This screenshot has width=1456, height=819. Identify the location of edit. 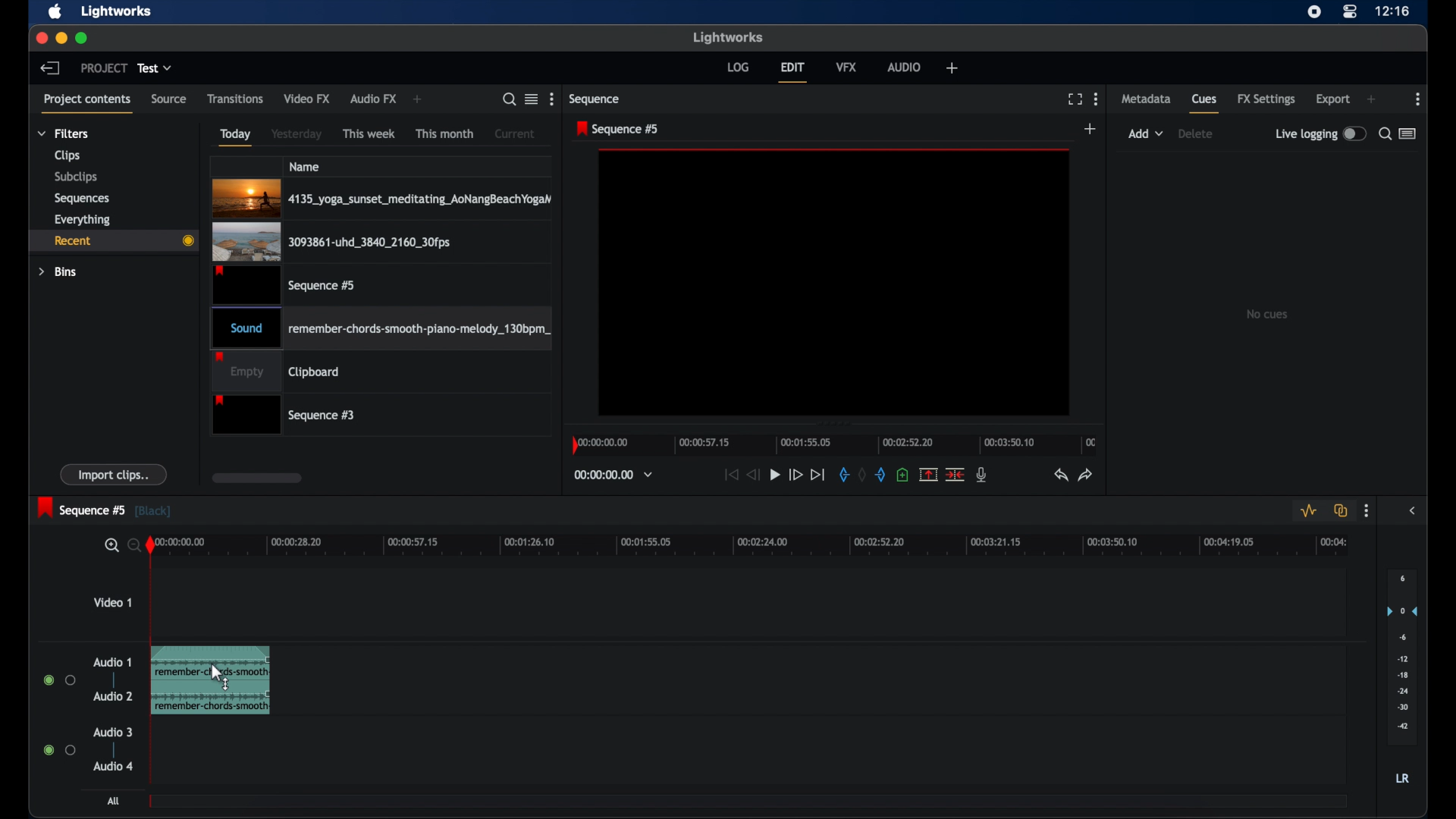
(792, 72).